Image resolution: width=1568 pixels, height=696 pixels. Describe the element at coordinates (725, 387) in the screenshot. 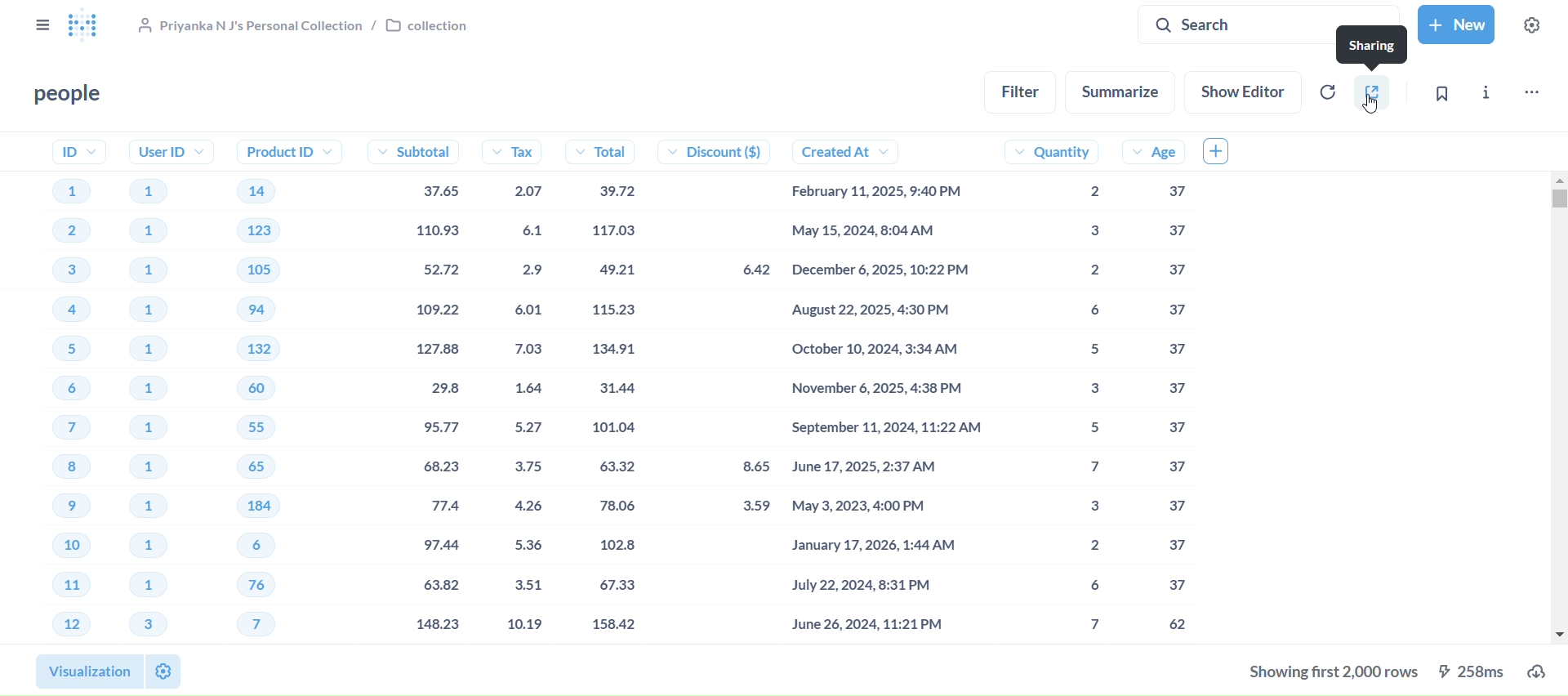

I see `discount` at that location.